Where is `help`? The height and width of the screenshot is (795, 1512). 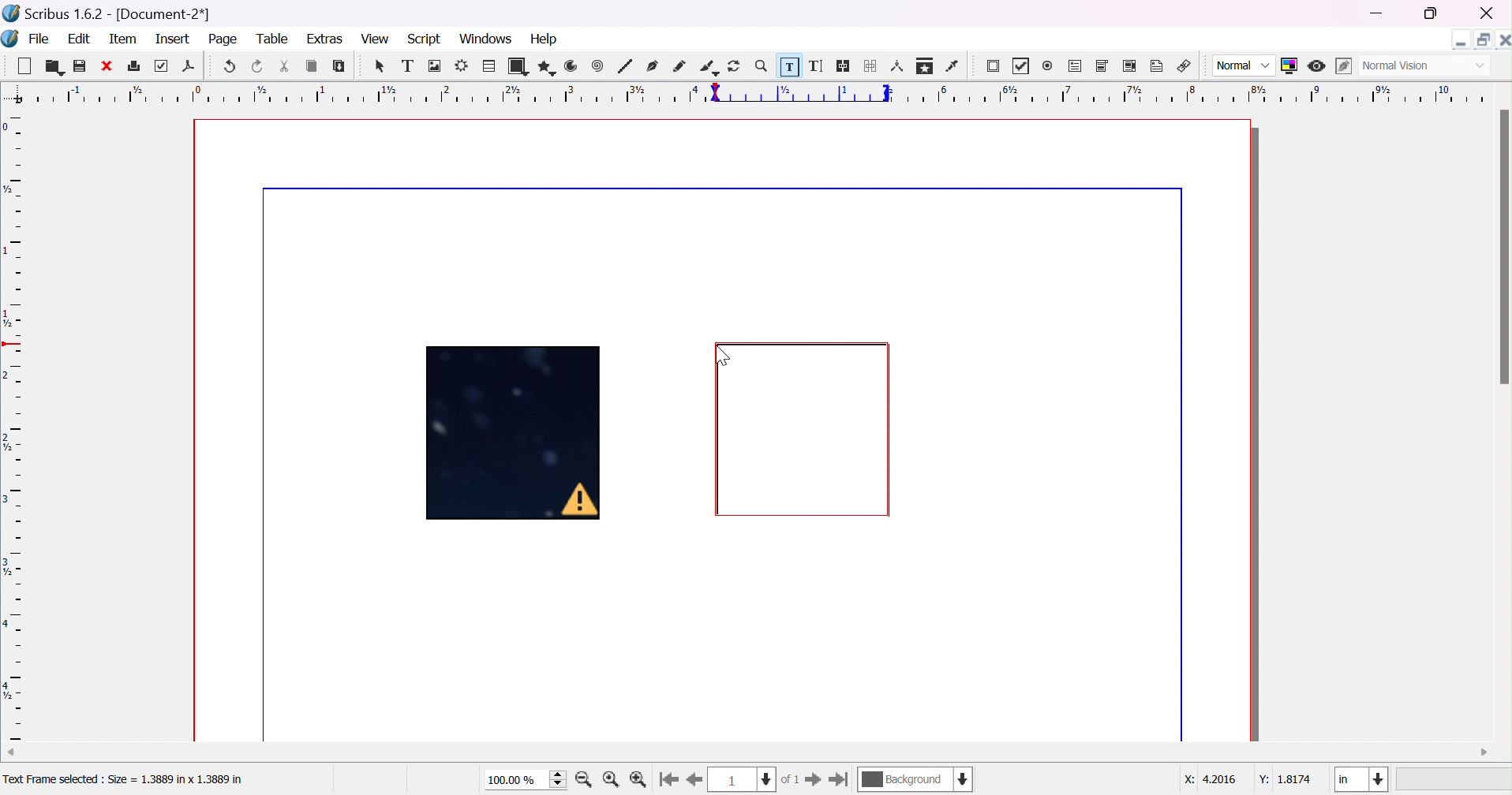 help is located at coordinates (546, 38).